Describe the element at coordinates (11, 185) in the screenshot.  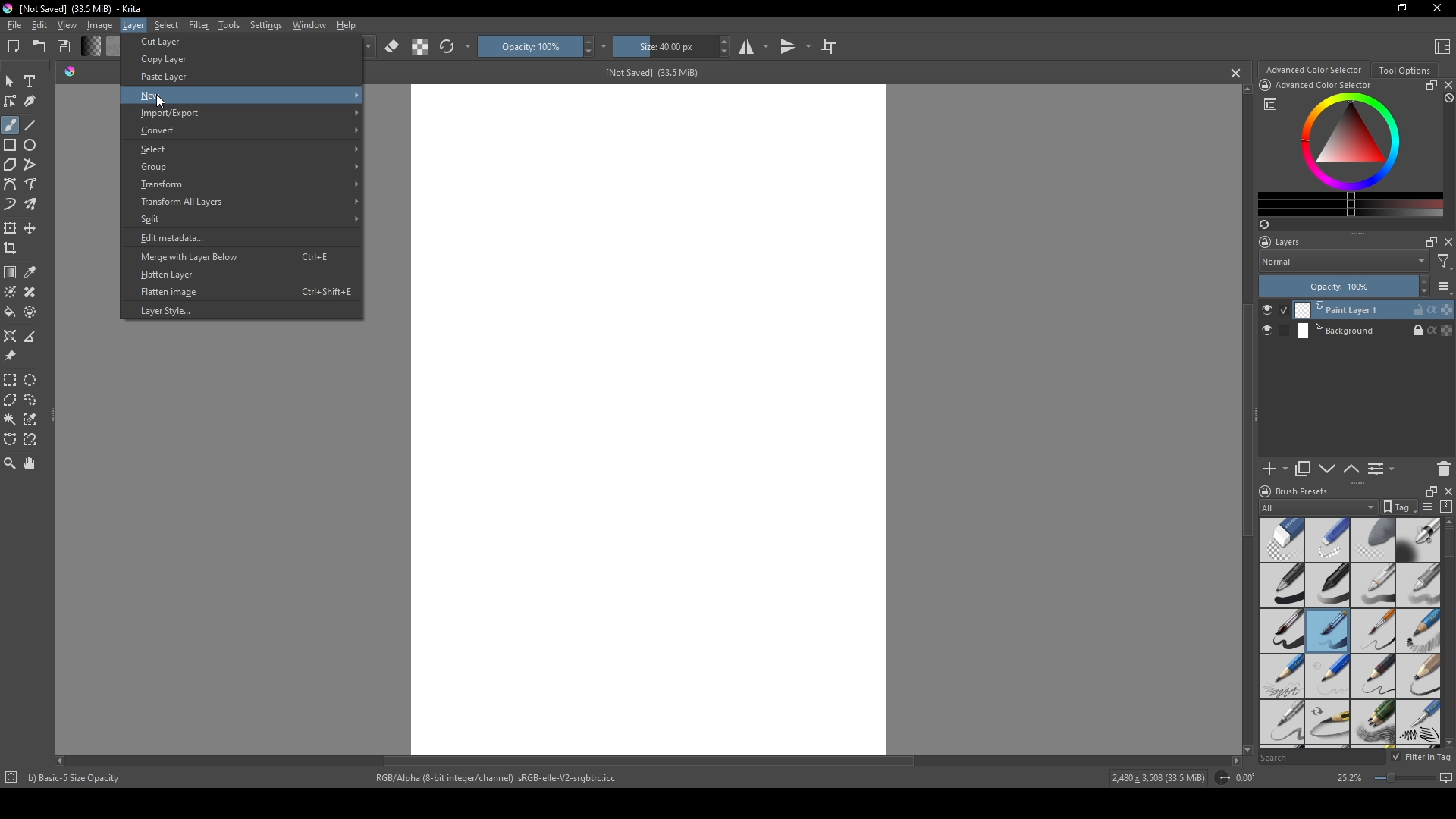
I see `bezier` at that location.